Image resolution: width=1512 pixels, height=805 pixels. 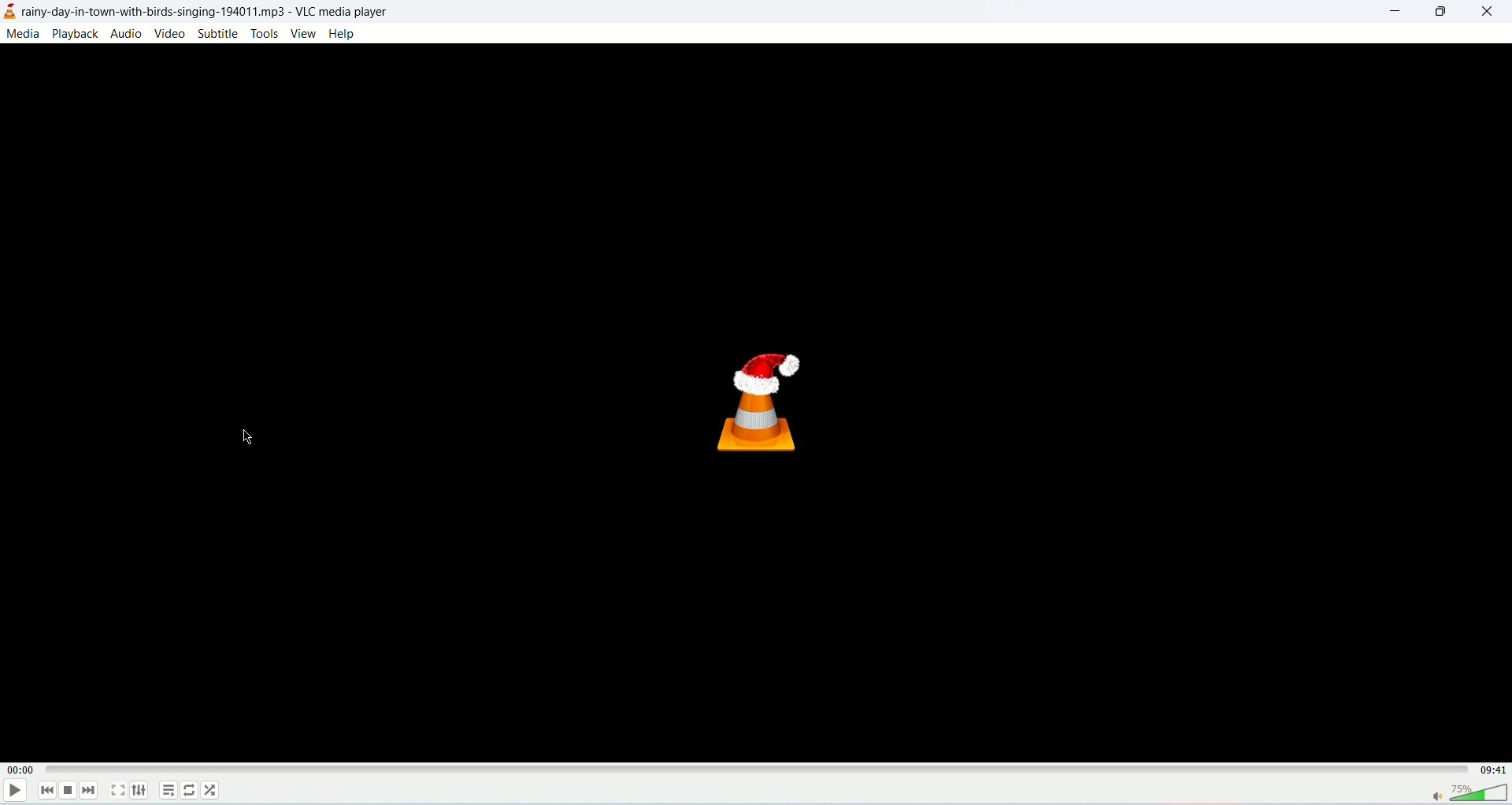 I want to click on mouse cursor, so click(x=246, y=441).